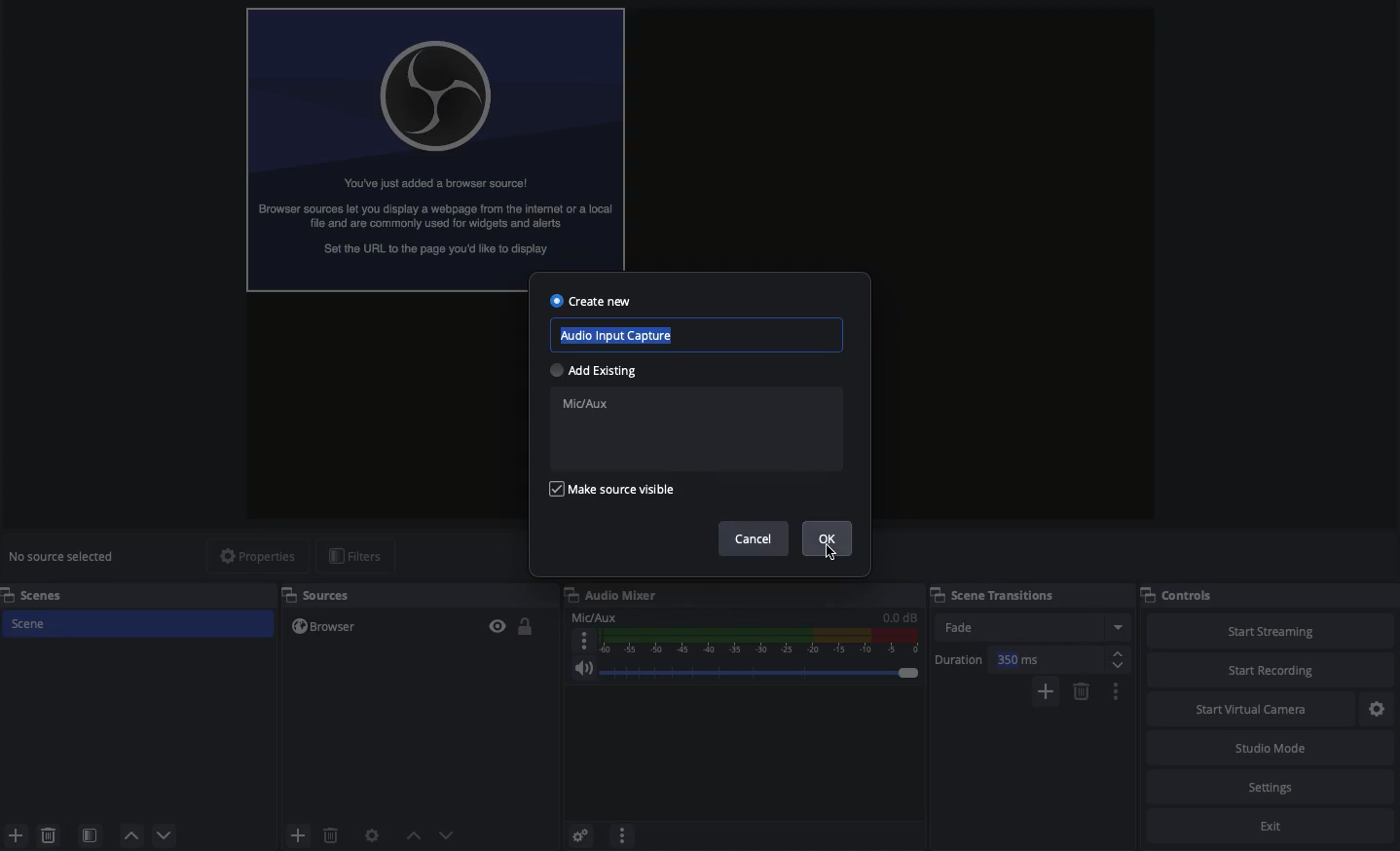 This screenshot has width=1400, height=851. What do you see at coordinates (142, 624) in the screenshot?
I see `Scene` at bounding box center [142, 624].